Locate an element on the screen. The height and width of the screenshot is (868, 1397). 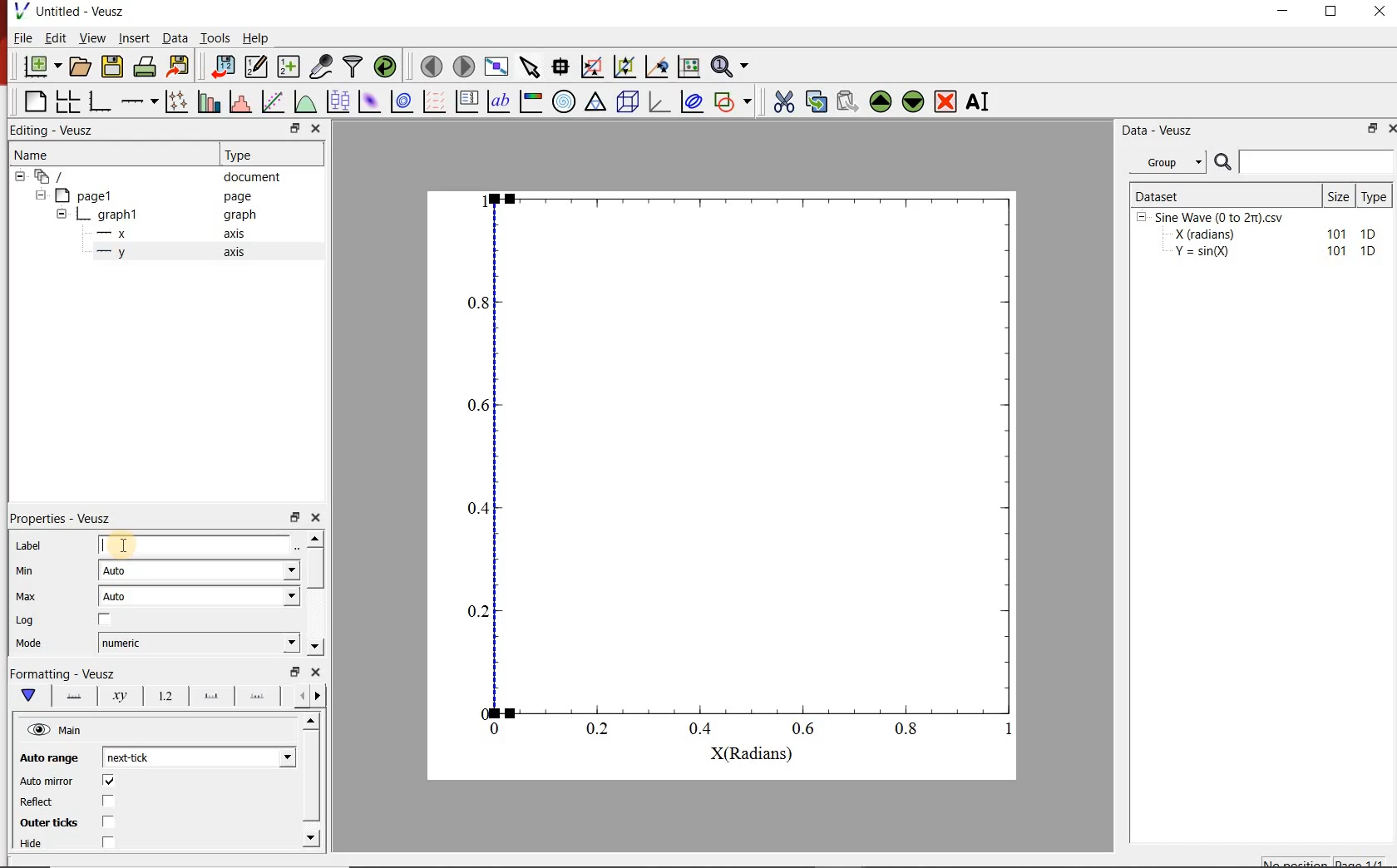
Editing - Veusz is located at coordinates (55, 131).